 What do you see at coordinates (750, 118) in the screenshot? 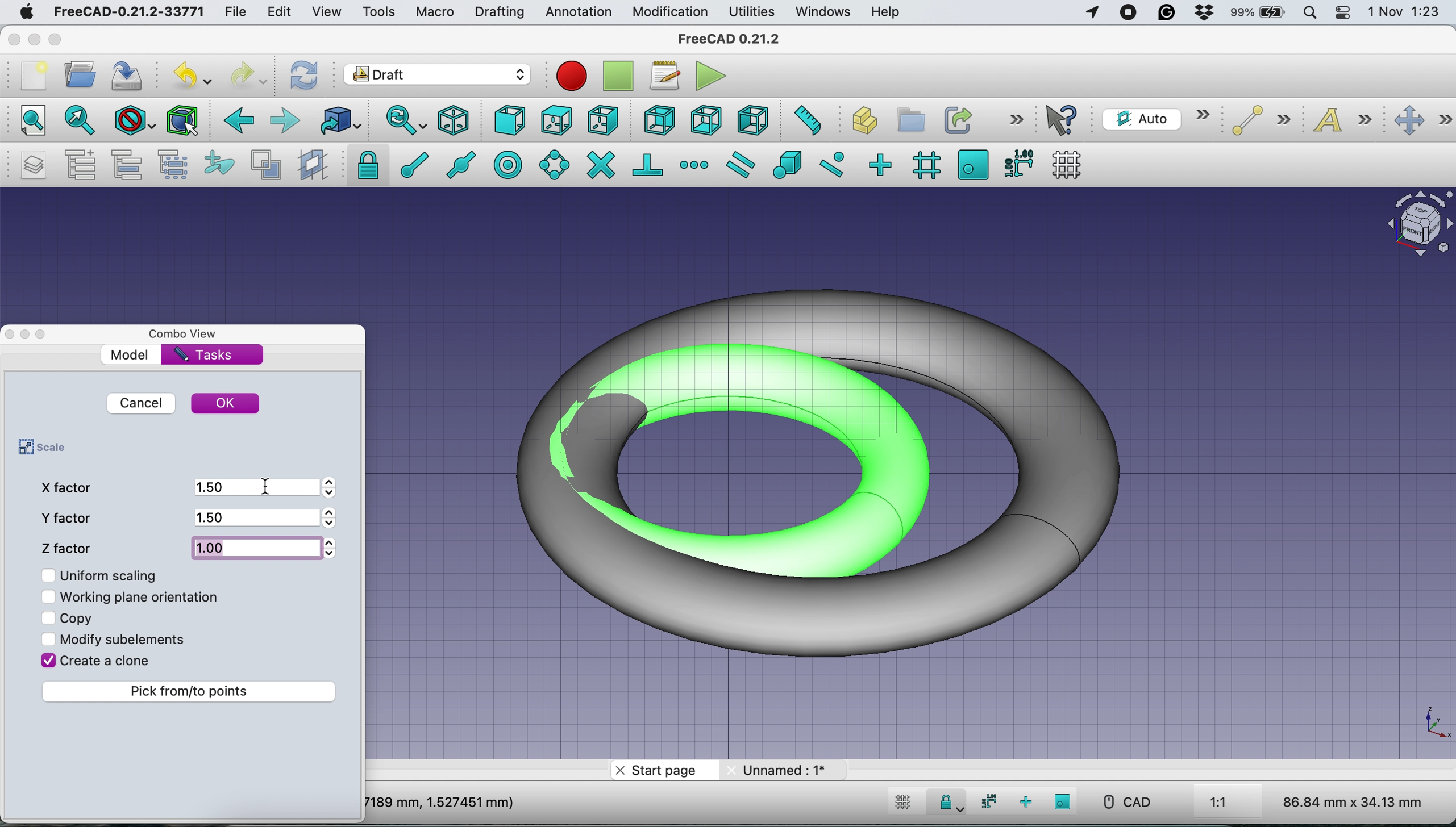
I see `left` at bounding box center [750, 118].